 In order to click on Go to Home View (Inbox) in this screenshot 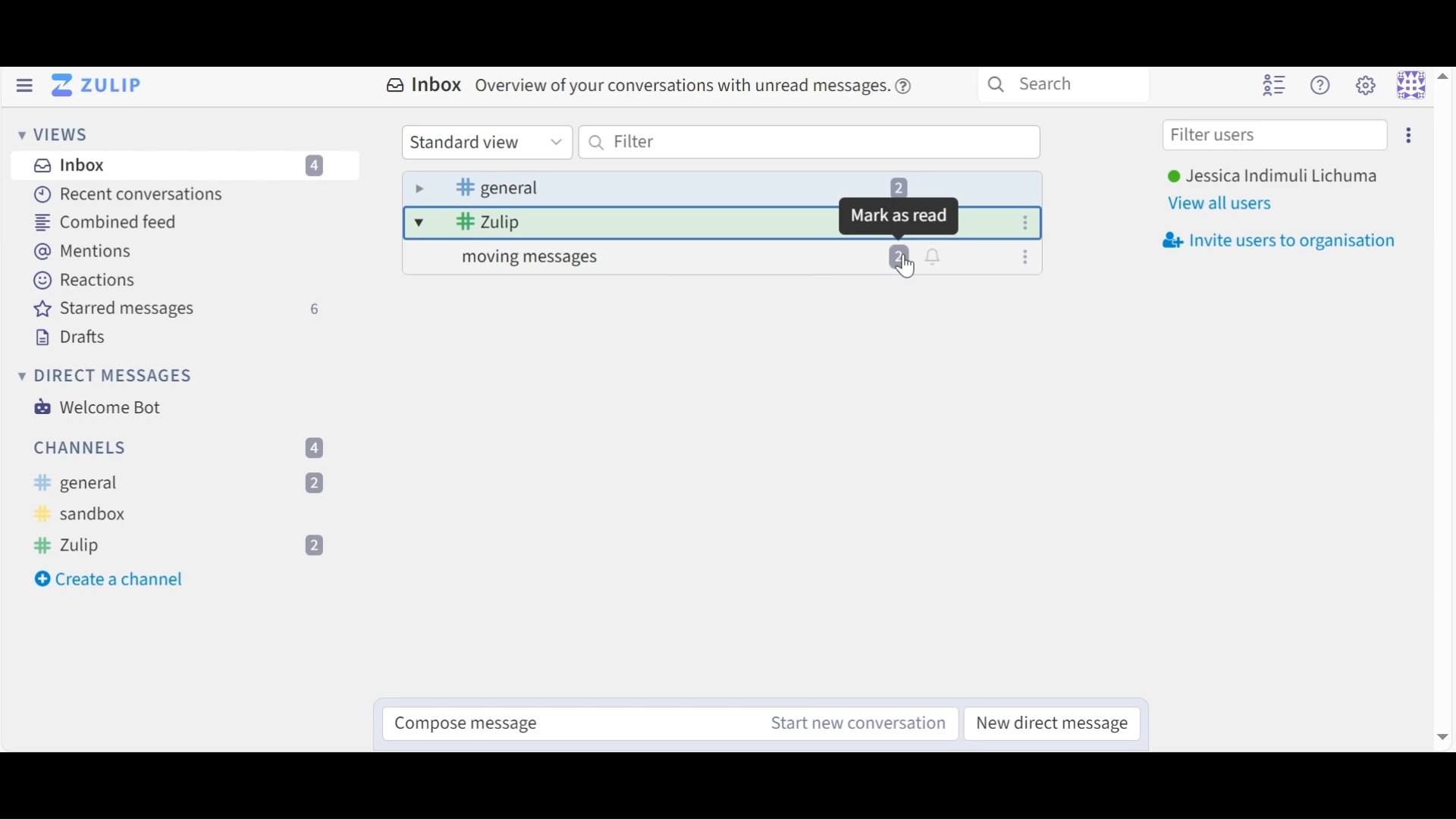, I will do `click(95, 87)`.